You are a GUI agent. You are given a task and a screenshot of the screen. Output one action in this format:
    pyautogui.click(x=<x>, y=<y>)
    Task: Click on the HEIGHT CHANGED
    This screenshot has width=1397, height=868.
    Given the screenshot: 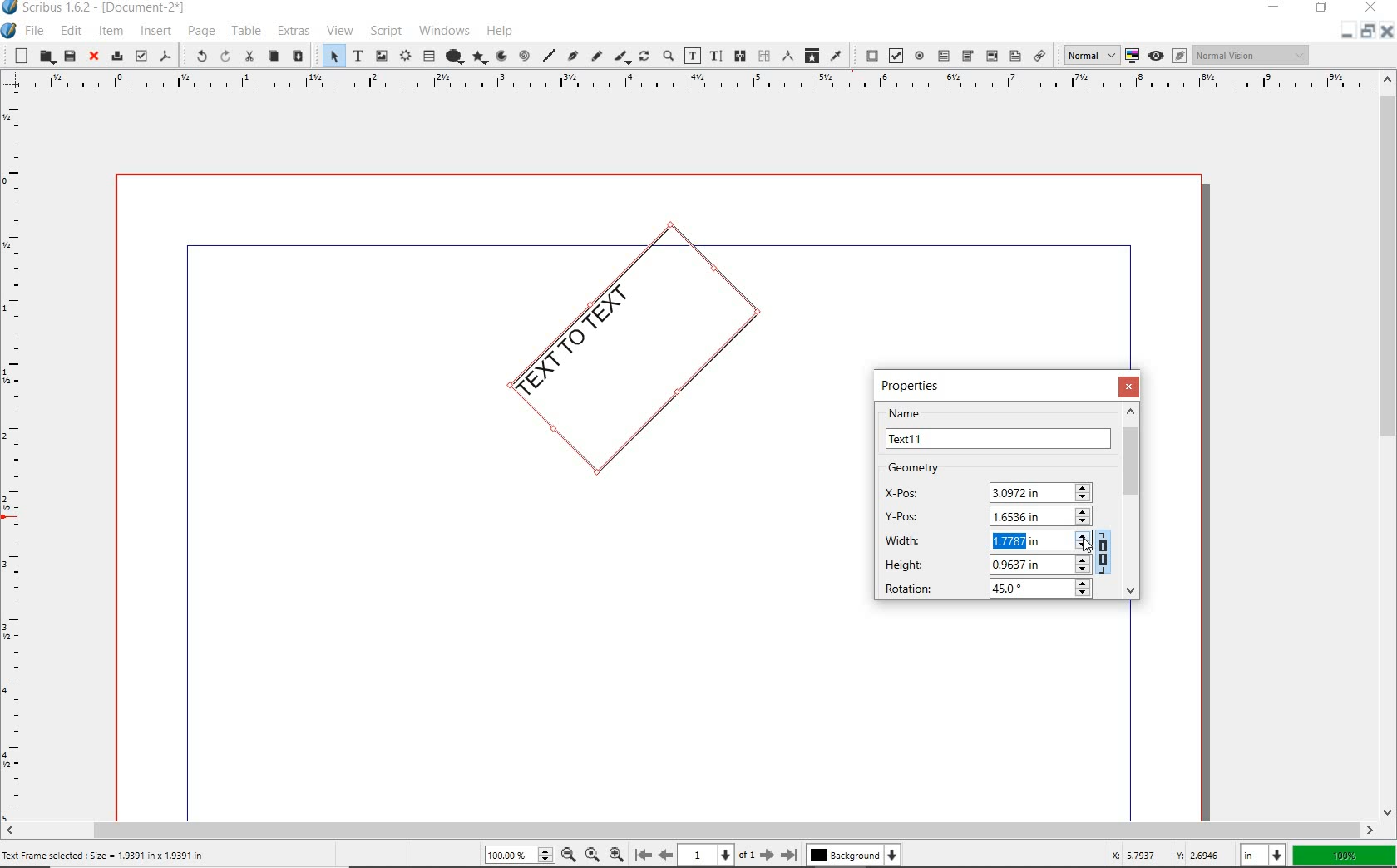 What is the action you would take?
    pyautogui.click(x=1019, y=541)
    